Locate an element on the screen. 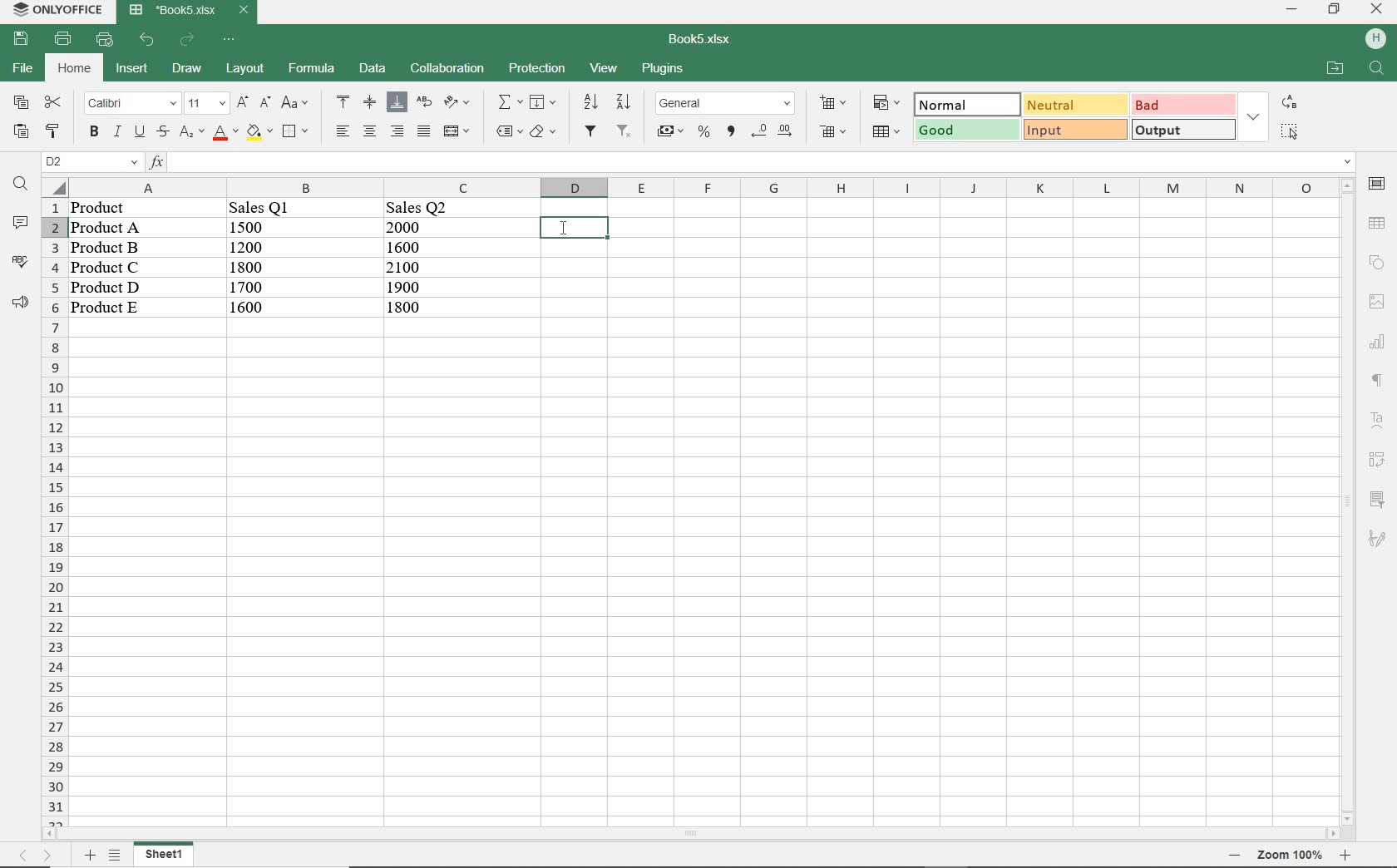 Image resolution: width=1397 pixels, height=868 pixels. collaboration is located at coordinates (447, 69).